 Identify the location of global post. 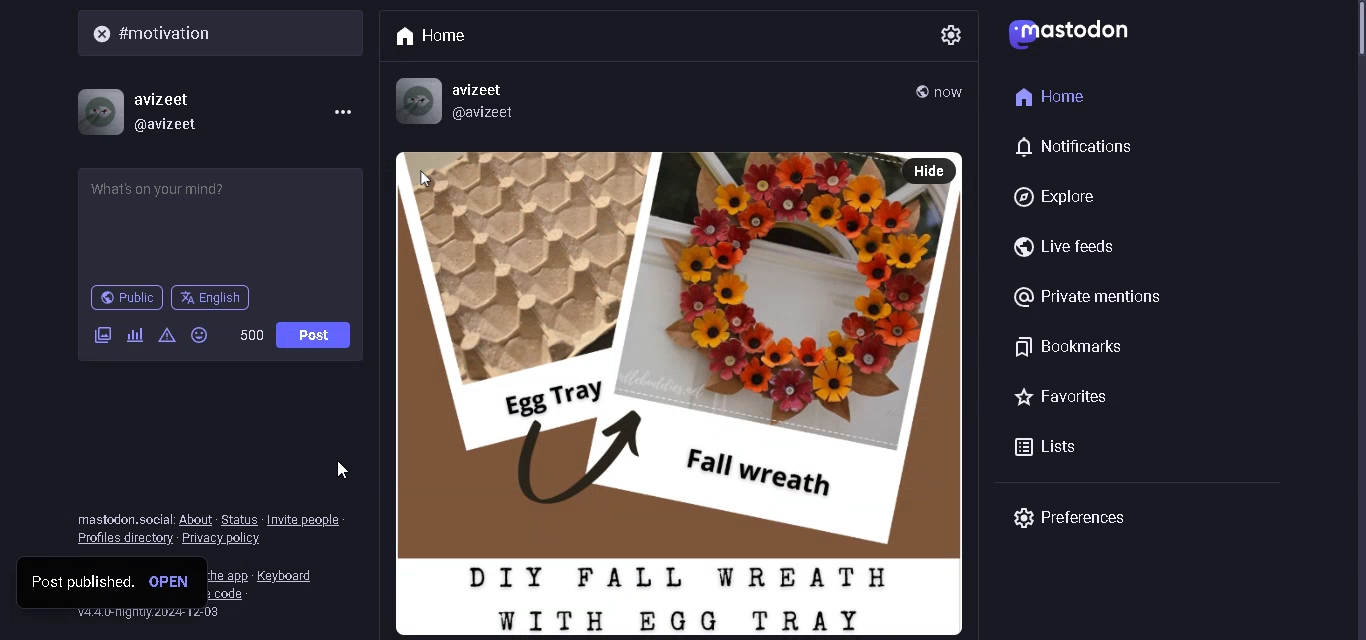
(921, 90).